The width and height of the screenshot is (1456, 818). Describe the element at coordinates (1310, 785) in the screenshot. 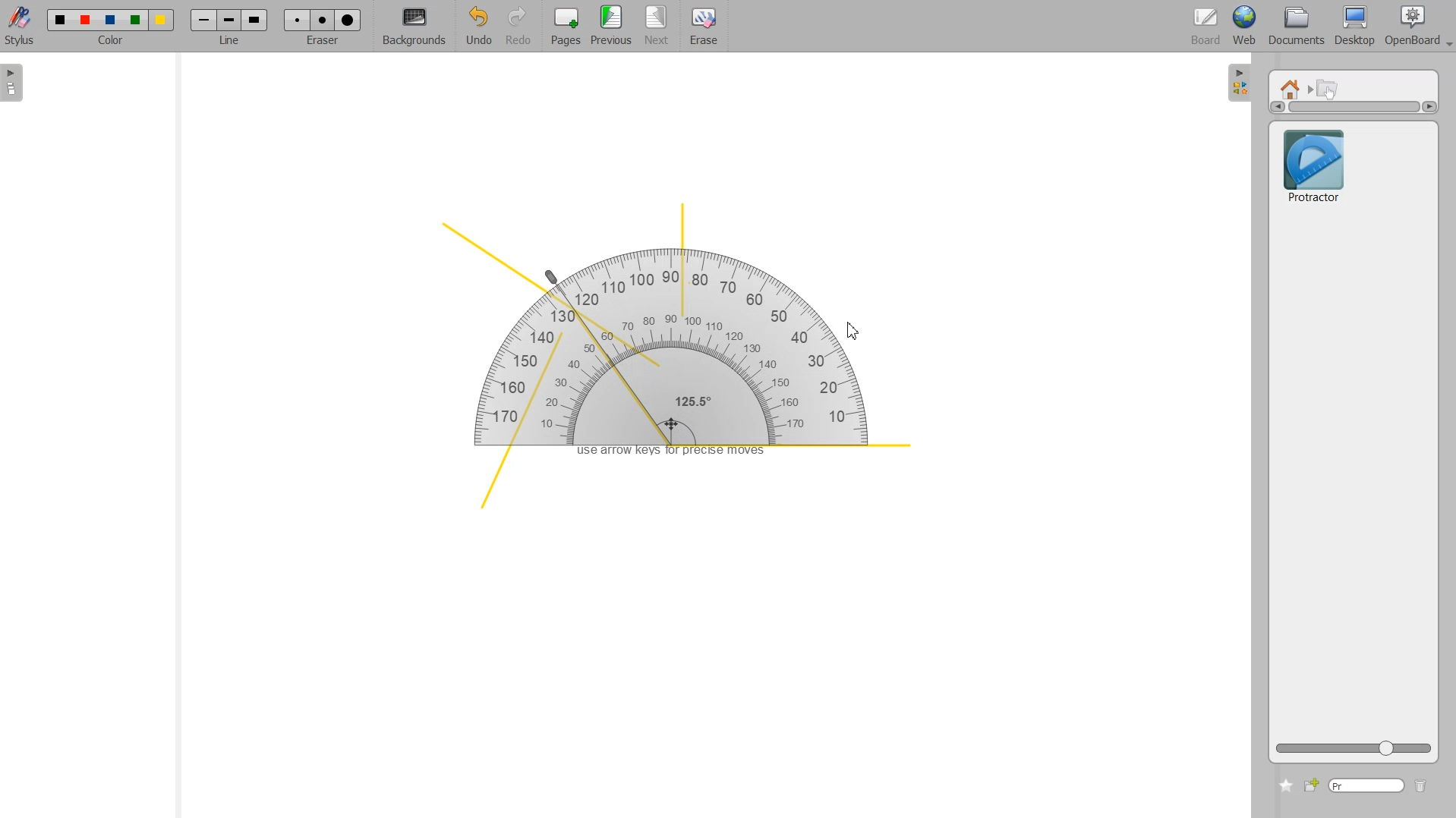

I see `Add new file` at that location.